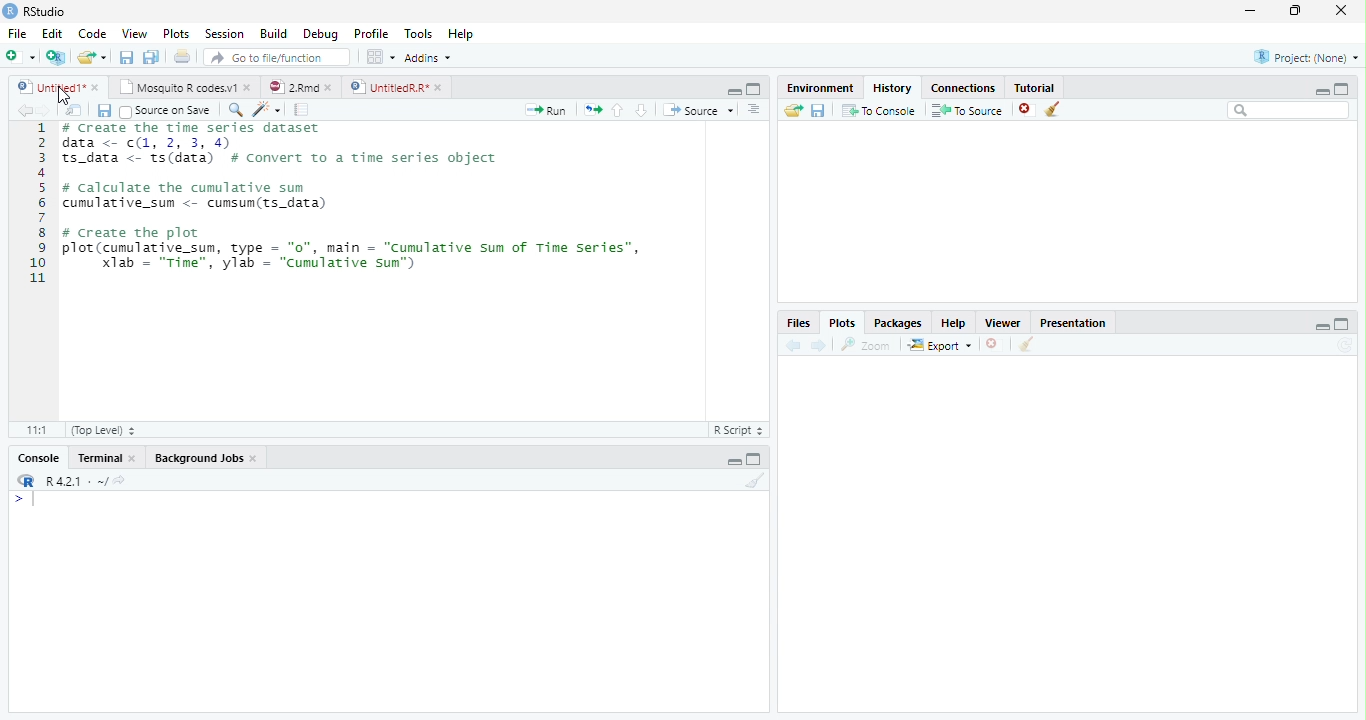 This screenshot has width=1366, height=720. What do you see at coordinates (1307, 57) in the screenshot?
I see `Project (None)` at bounding box center [1307, 57].